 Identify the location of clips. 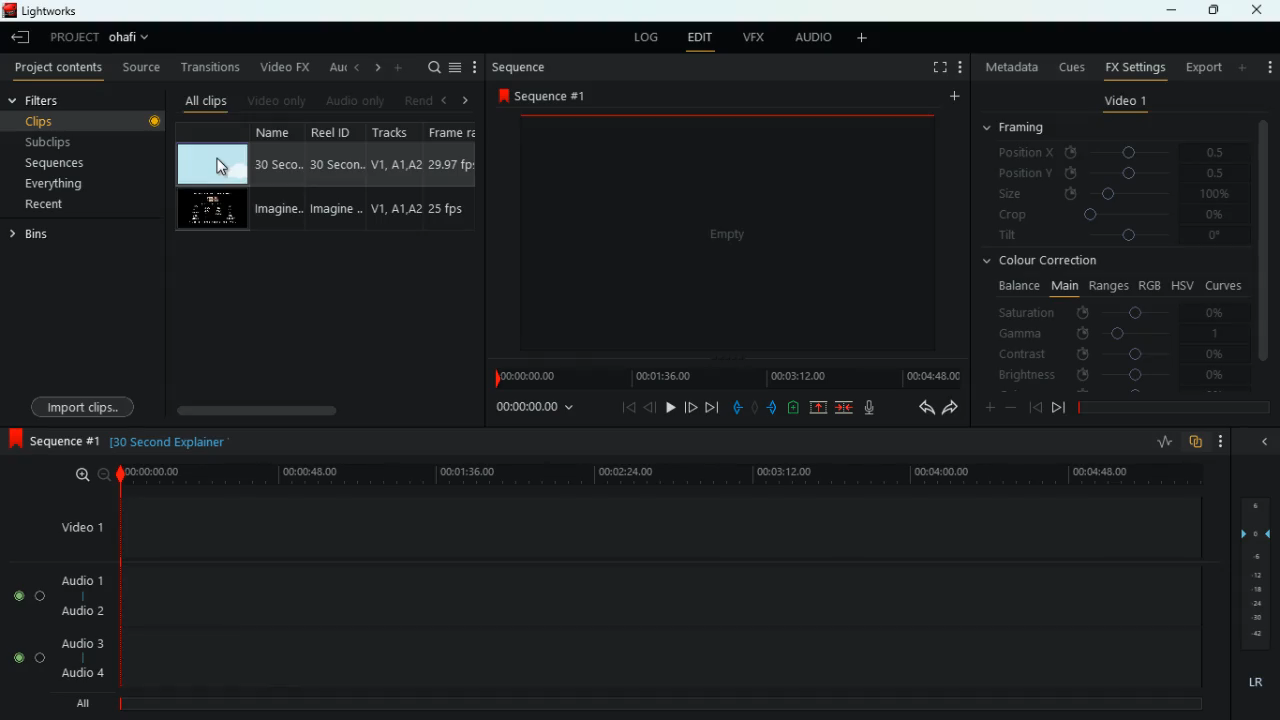
(87, 121).